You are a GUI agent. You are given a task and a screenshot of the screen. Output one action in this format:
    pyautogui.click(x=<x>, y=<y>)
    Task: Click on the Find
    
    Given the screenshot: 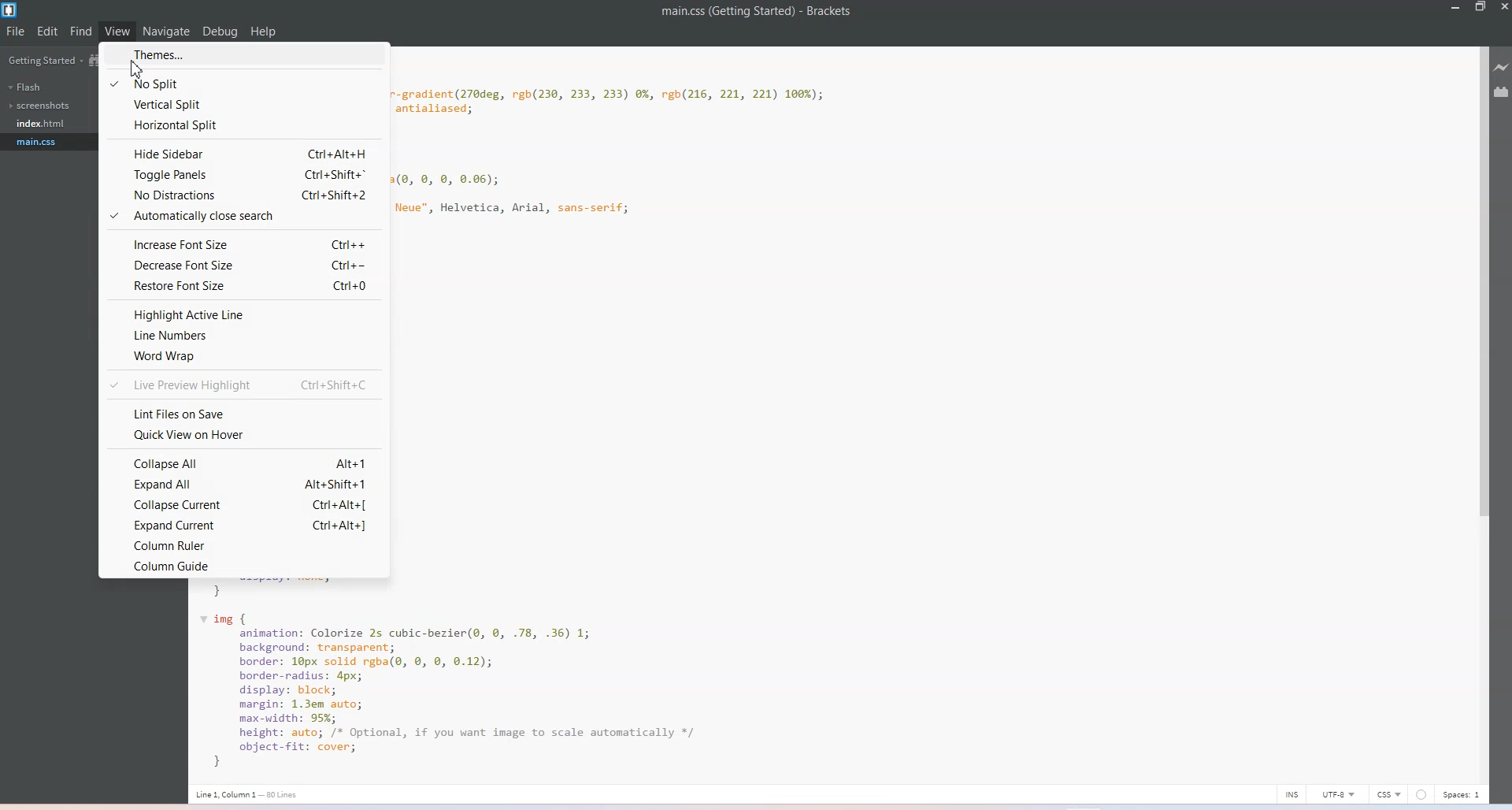 What is the action you would take?
    pyautogui.click(x=81, y=31)
    